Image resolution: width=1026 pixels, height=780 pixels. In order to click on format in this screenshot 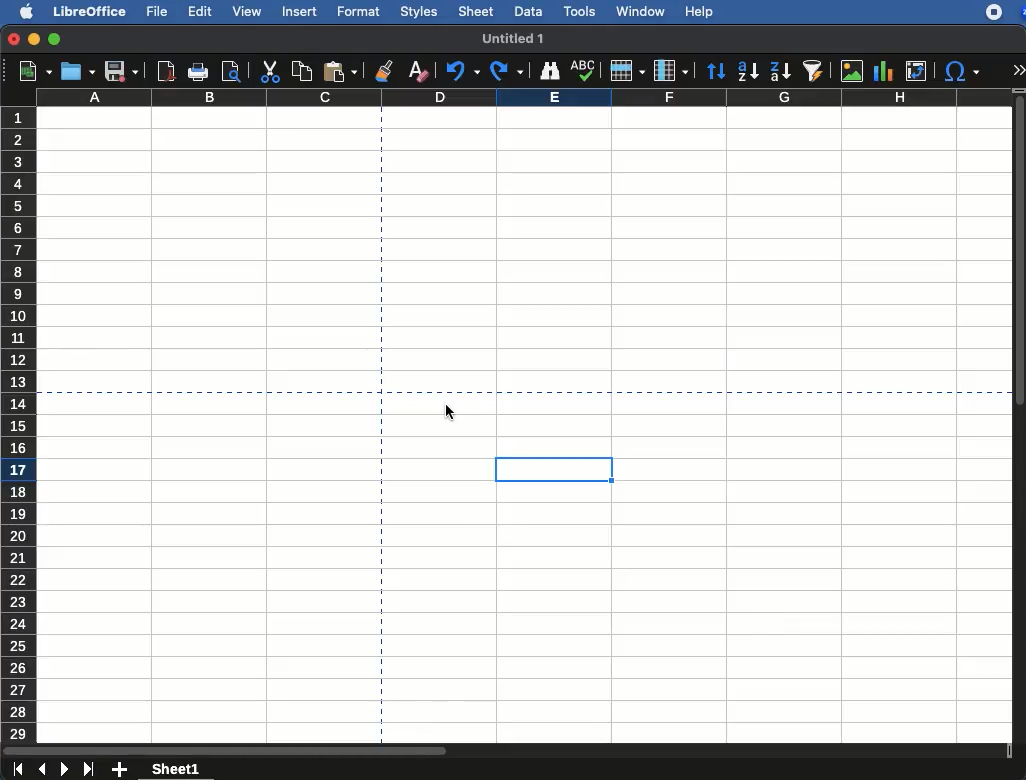, I will do `click(358, 10)`.